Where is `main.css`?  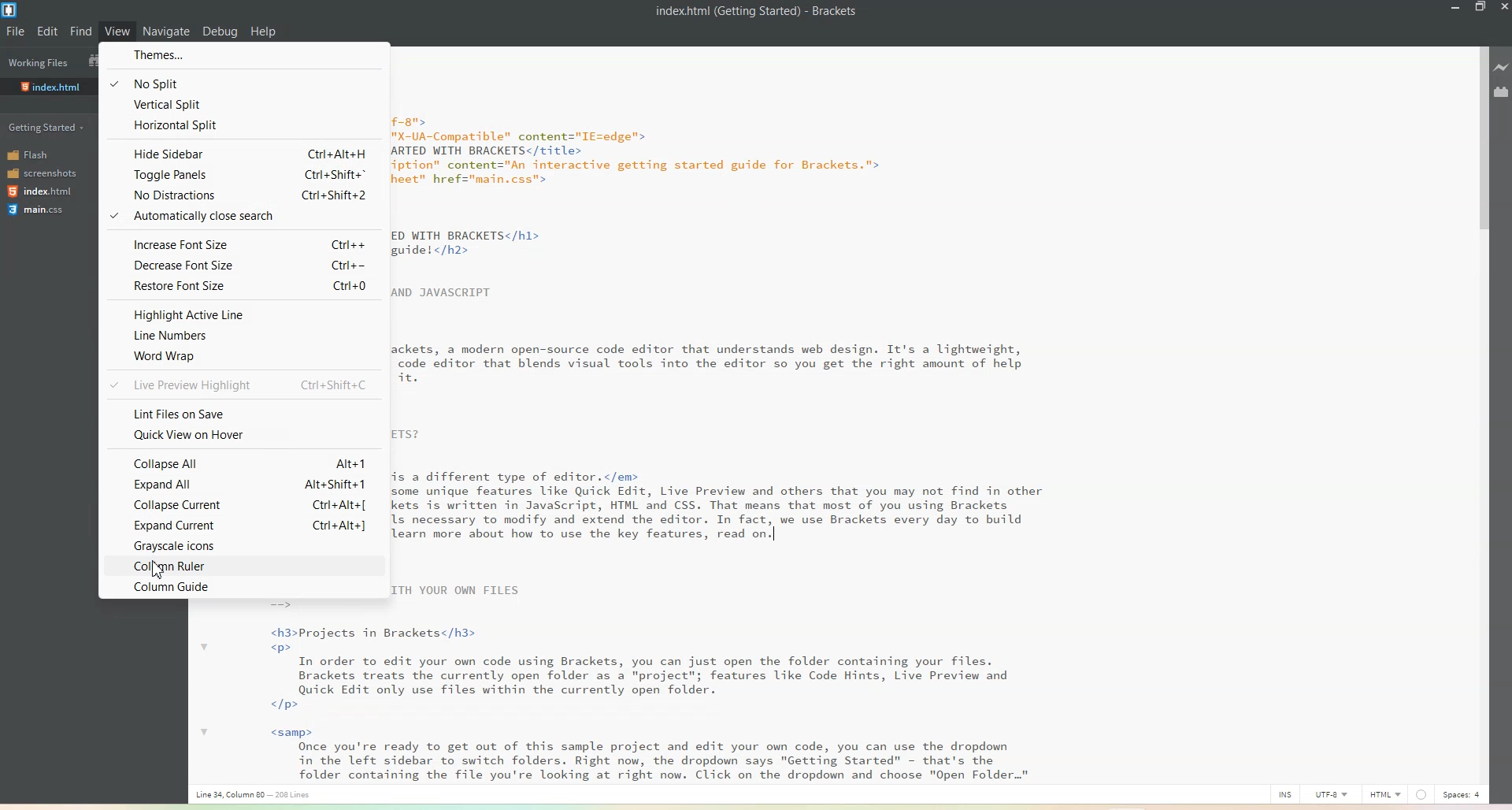
main.css is located at coordinates (36, 210).